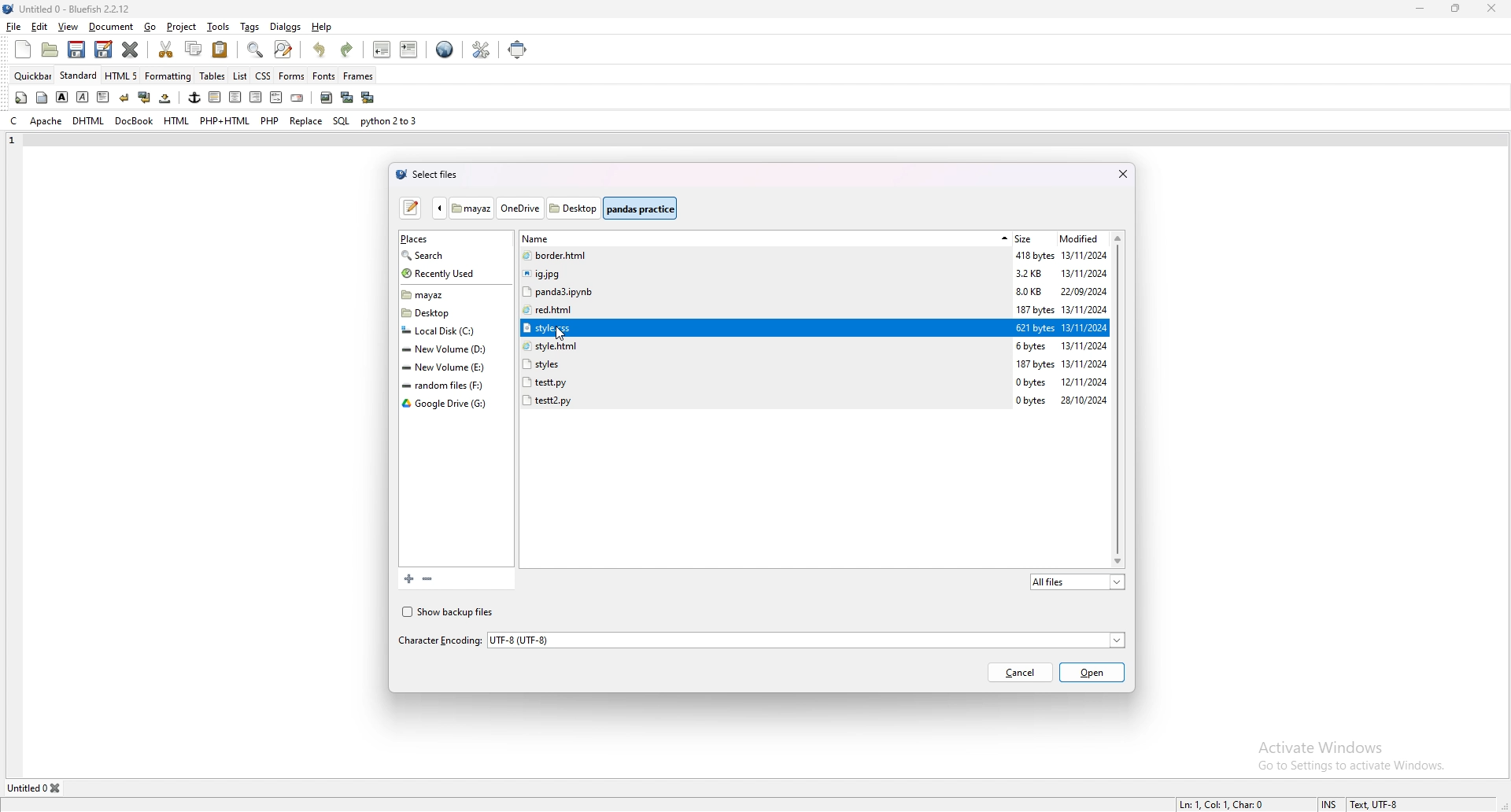 The height and width of the screenshot is (812, 1511). What do you see at coordinates (1376, 804) in the screenshot?
I see `Text, UTF-8` at bounding box center [1376, 804].